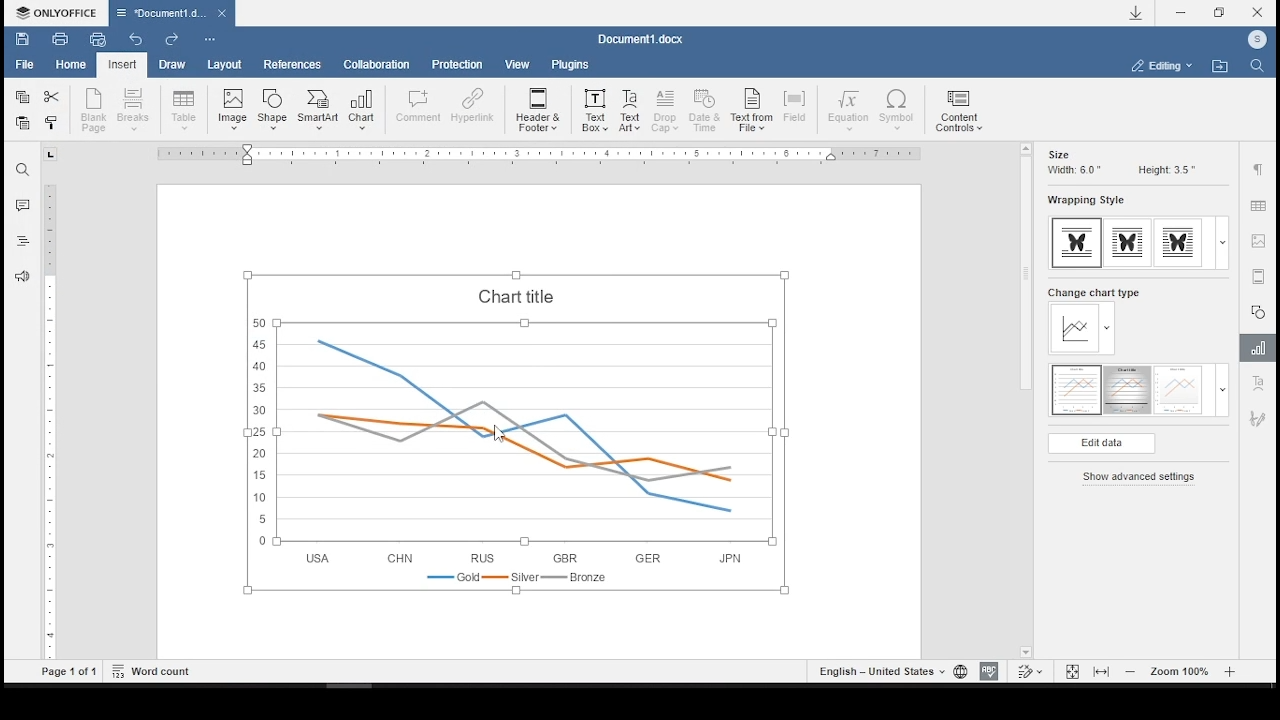 This screenshot has width=1280, height=720. What do you see at coordinates (1181, 670) in the screenshot?
I see `zoom in or out (100%)` at bounding box center [1181, 670].